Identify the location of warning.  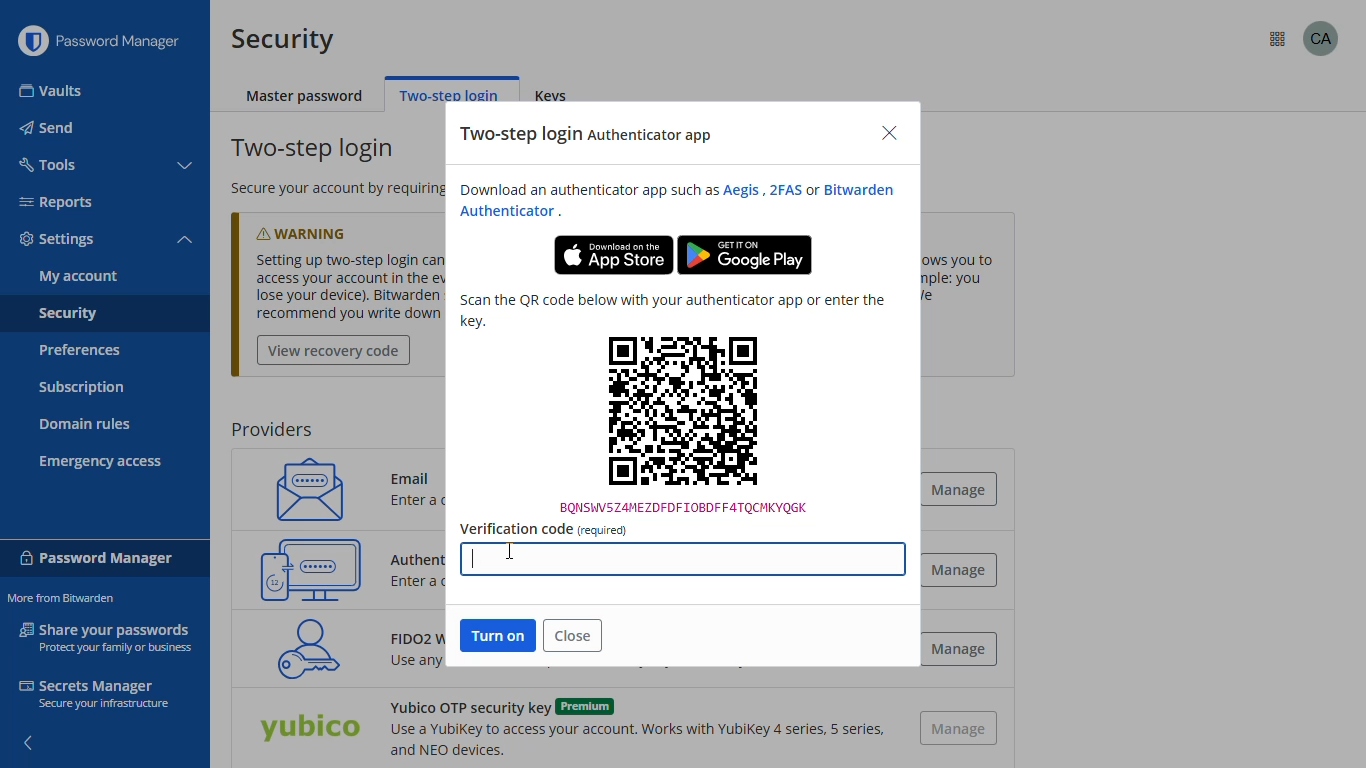
(321, 229).